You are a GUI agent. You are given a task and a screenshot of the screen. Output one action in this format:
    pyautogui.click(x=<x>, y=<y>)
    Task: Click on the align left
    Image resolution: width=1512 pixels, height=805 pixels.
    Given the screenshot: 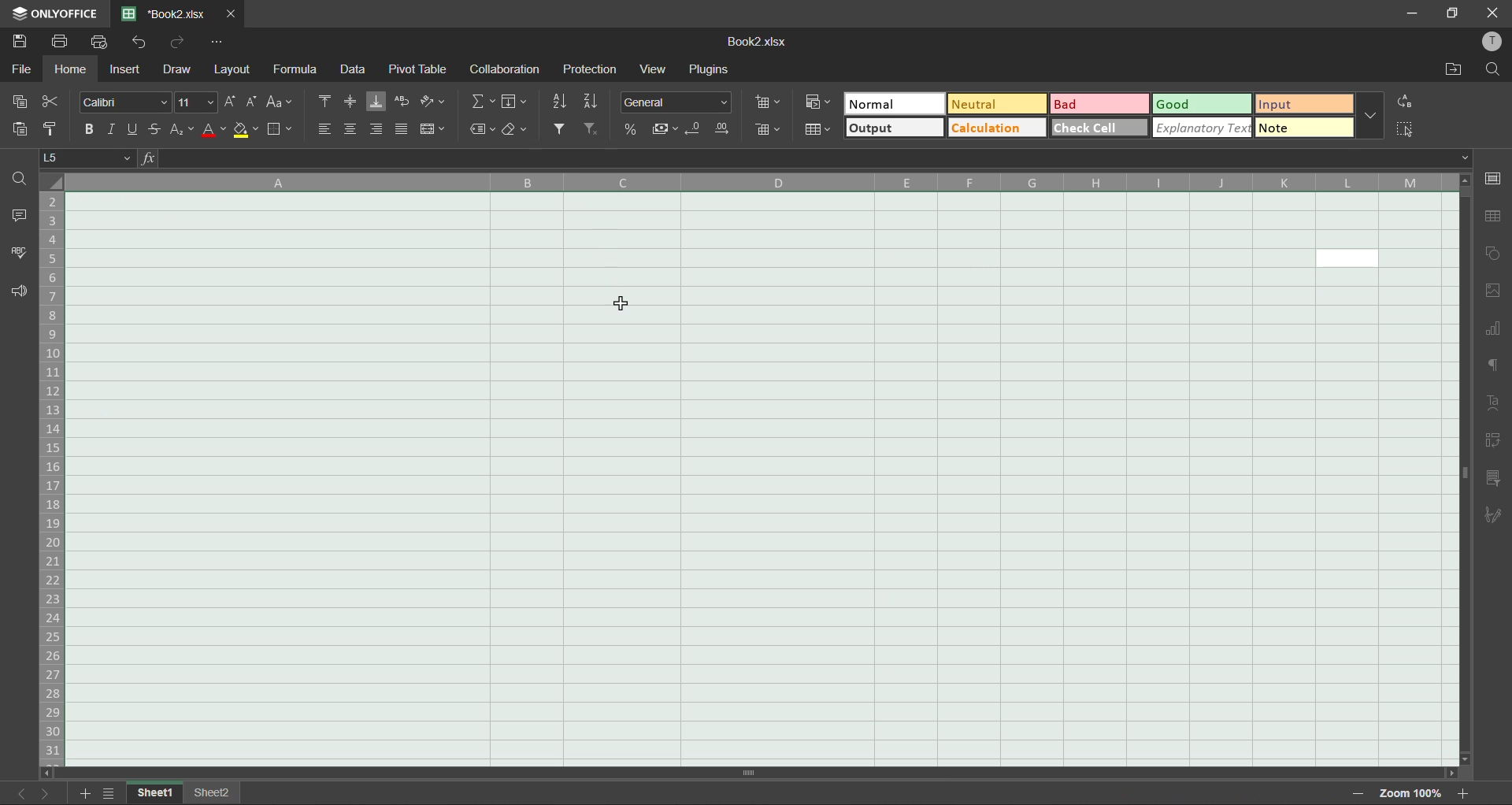 What is the action you would take?
    pyautogui.click(x=321, y=131)
    